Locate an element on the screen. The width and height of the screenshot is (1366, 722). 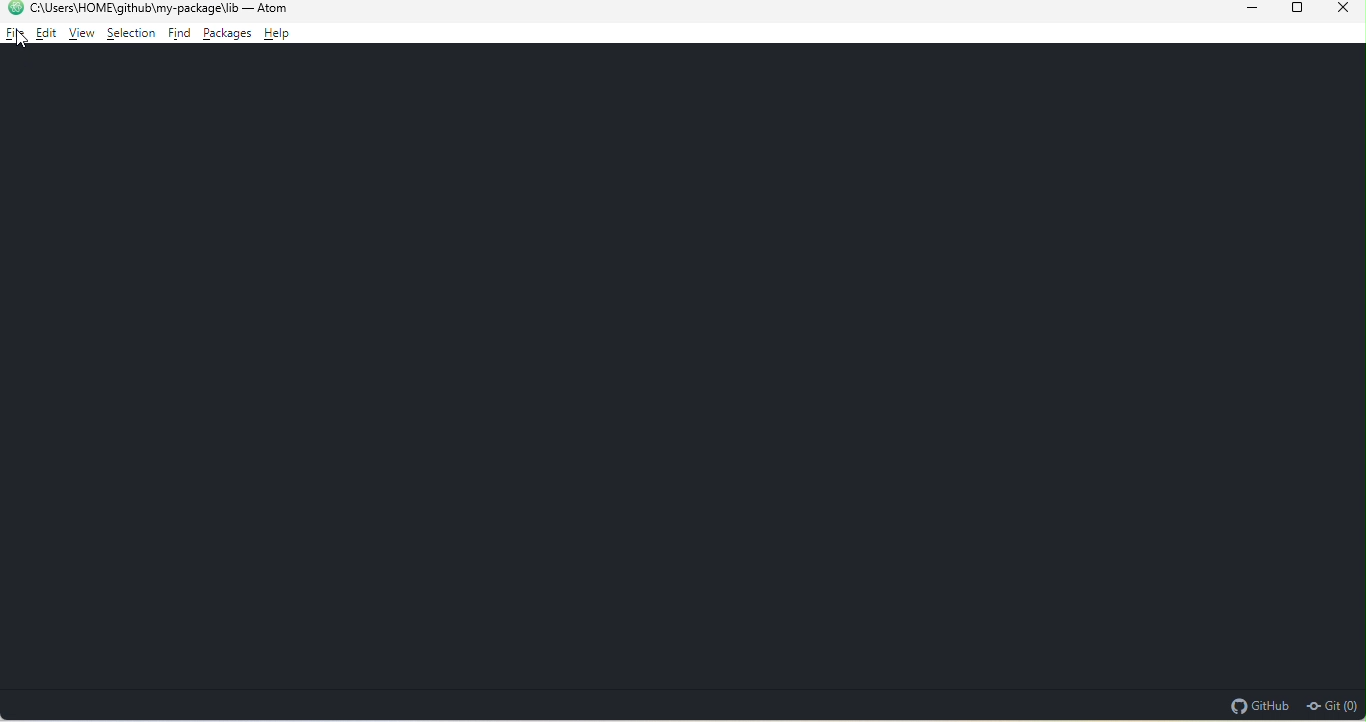
minimize is located at coordinates (1238, 10).